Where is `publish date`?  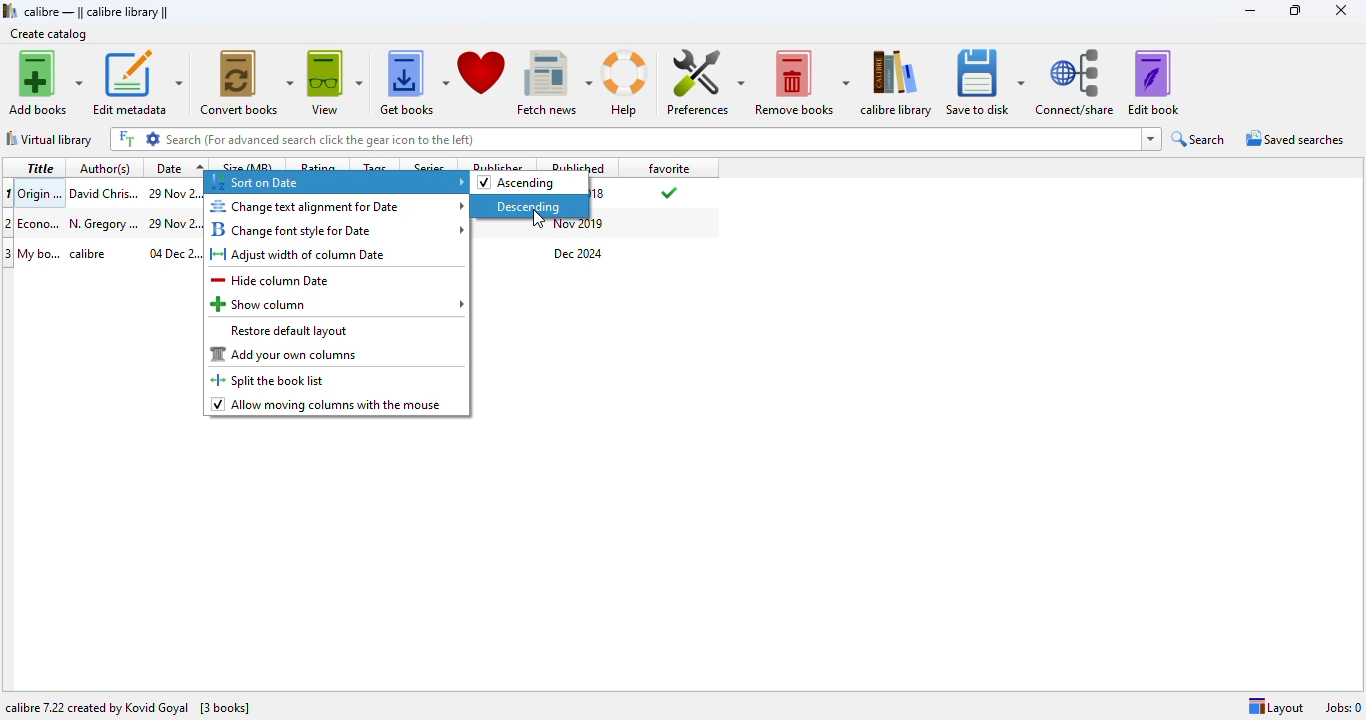 publish date is located at coordinates (579, 254).